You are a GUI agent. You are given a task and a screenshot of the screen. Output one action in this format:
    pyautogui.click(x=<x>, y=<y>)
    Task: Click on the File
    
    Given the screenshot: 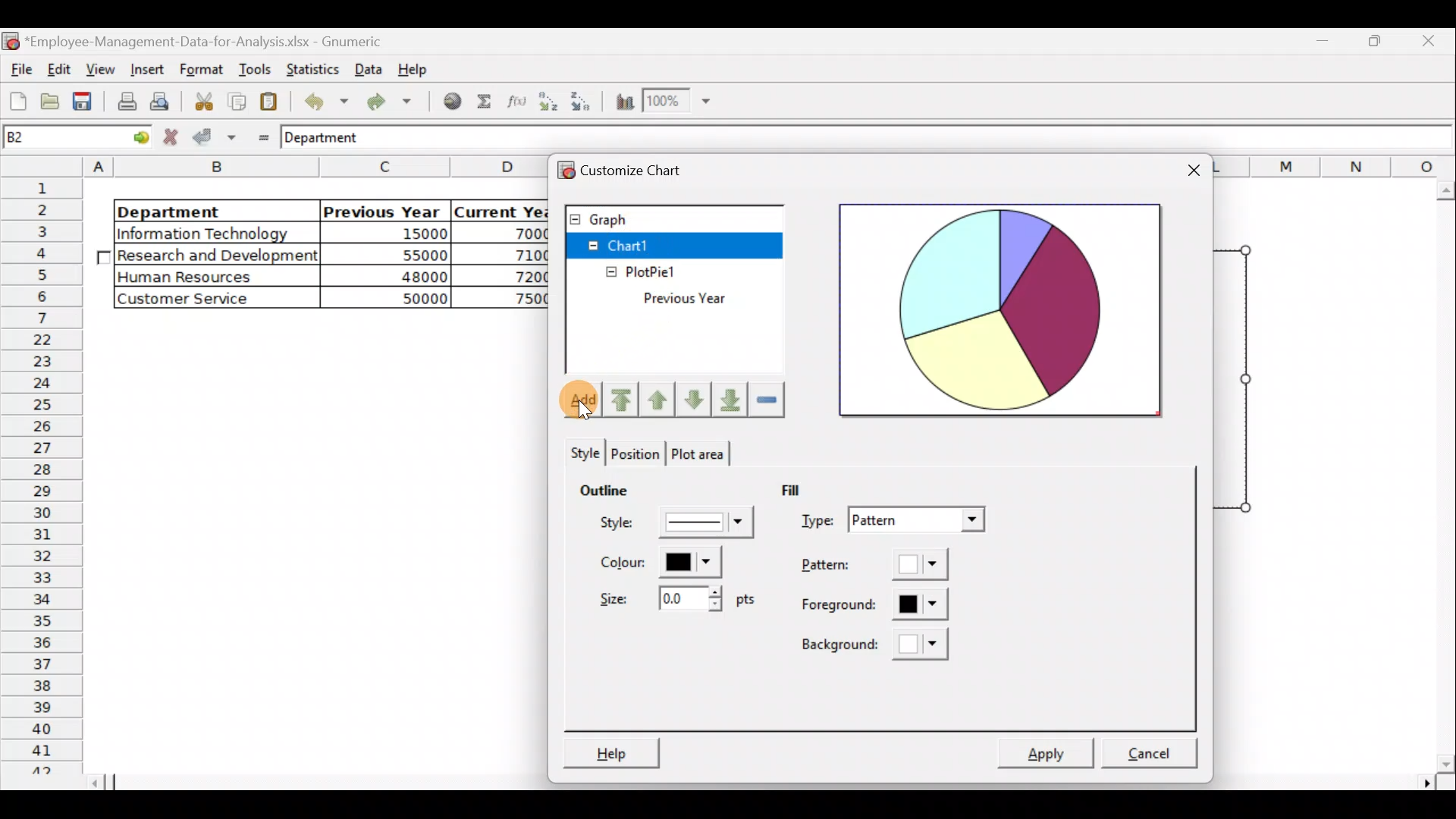 What is the action you would take?
    pyautogui.click(x=19, y=65)
    